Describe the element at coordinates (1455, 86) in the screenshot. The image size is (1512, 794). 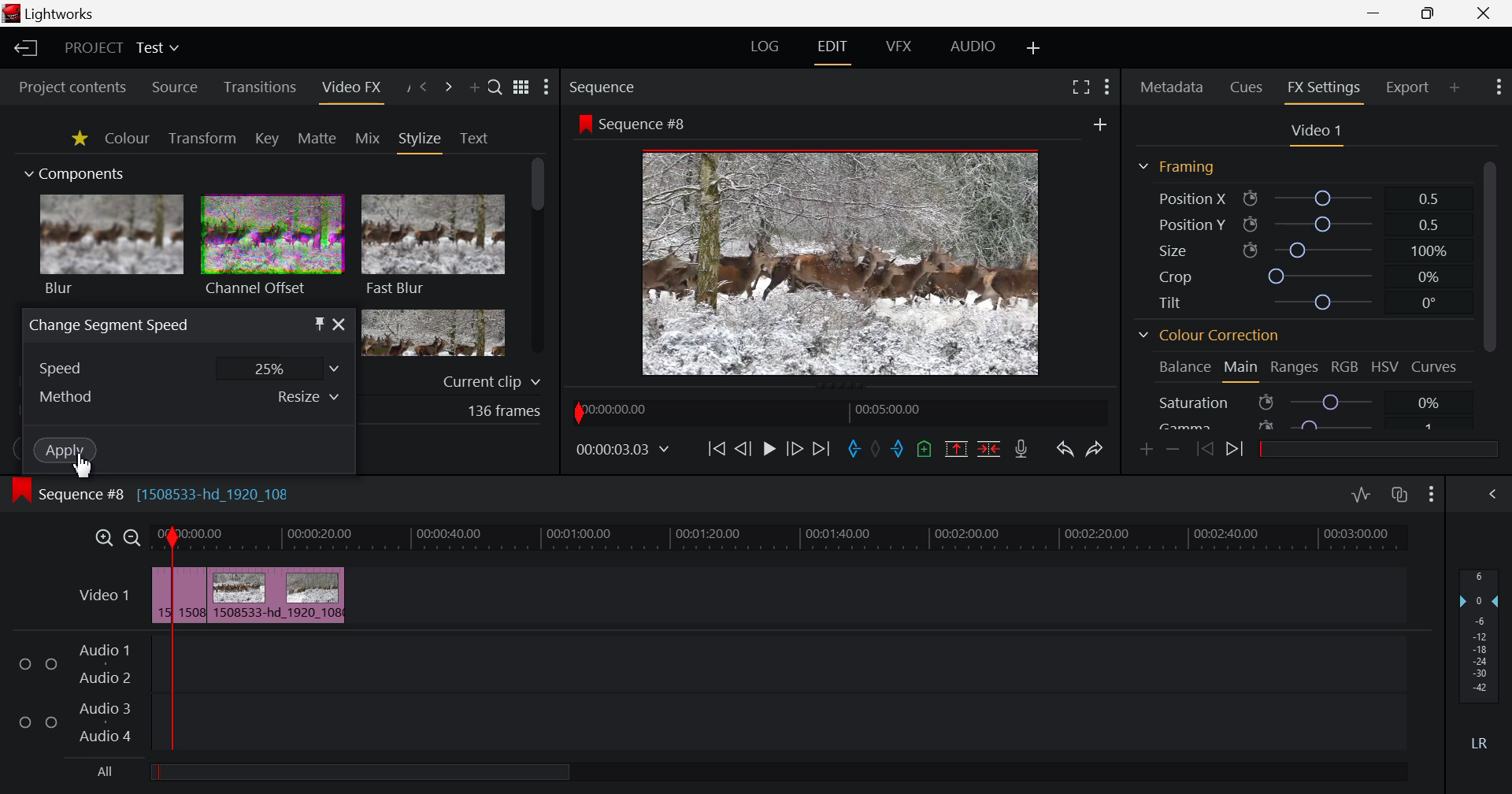
I see `Add Panel` at that location.